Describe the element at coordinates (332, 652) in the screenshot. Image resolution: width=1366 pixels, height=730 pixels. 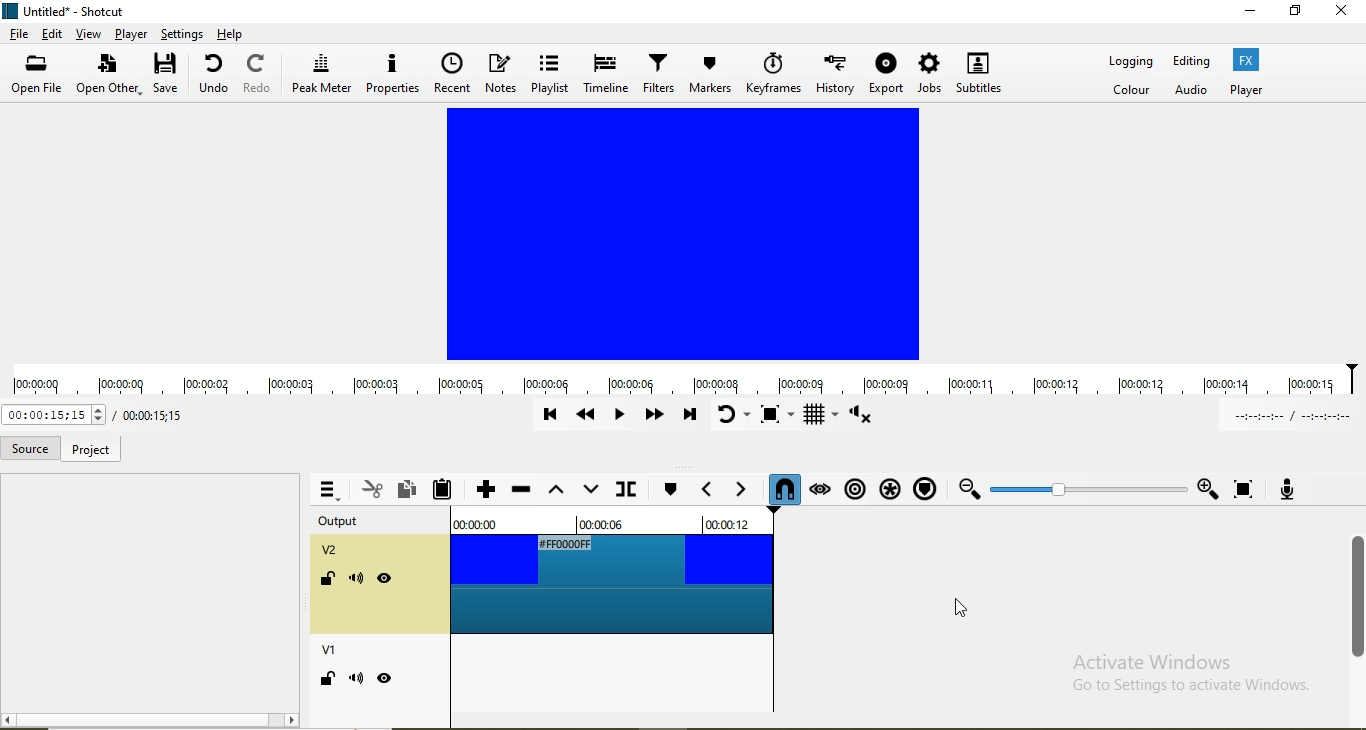
I see `v1` at that location.